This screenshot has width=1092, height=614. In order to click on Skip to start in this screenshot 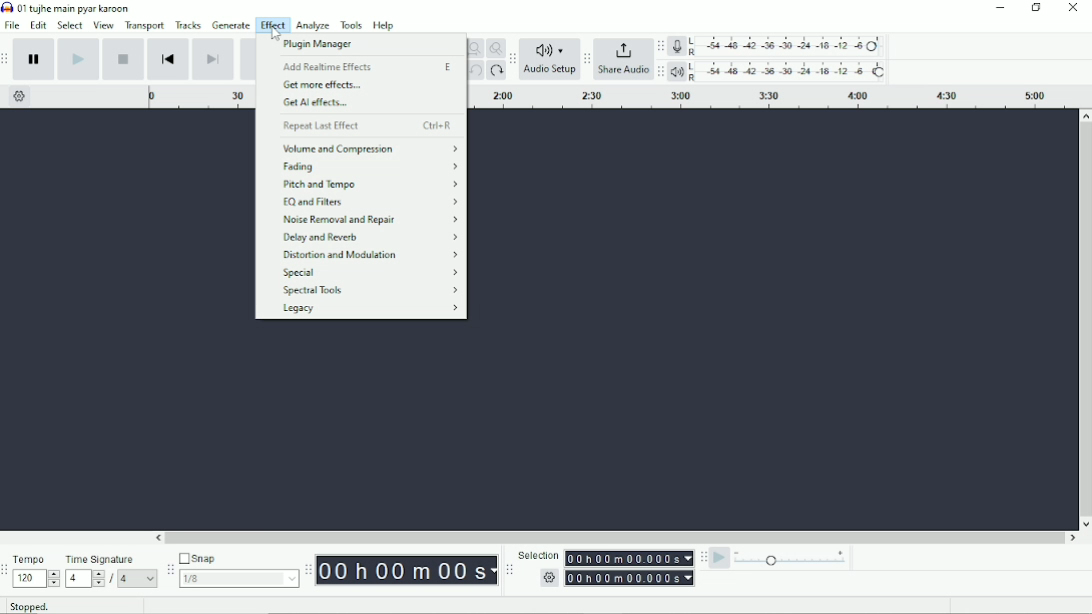, I will do `click(170, 60)`.